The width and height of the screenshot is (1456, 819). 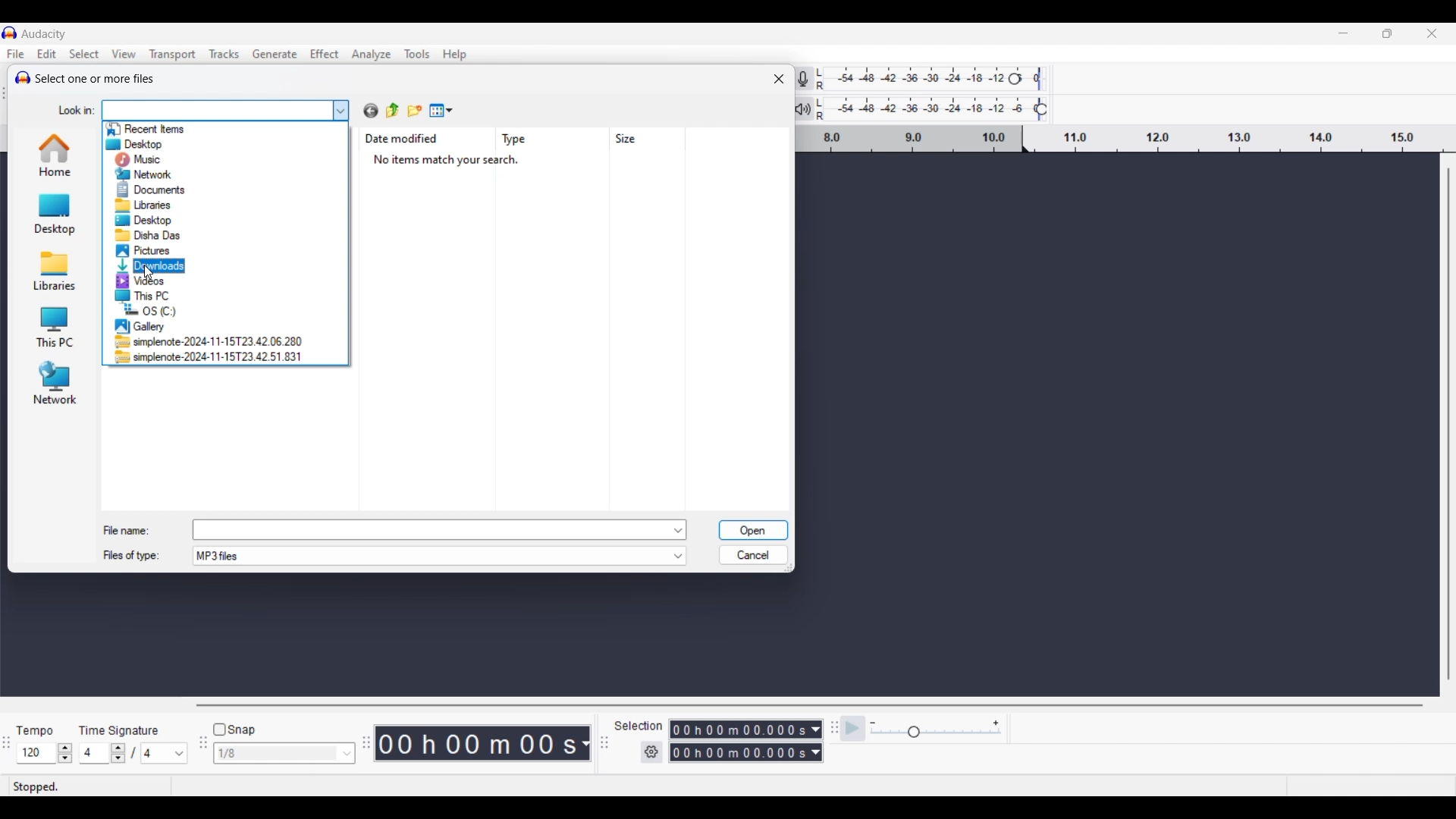 What do you see at coordinates (631, 139) in the screenshot?
I see `Size column` at bounding box center [631, 139].